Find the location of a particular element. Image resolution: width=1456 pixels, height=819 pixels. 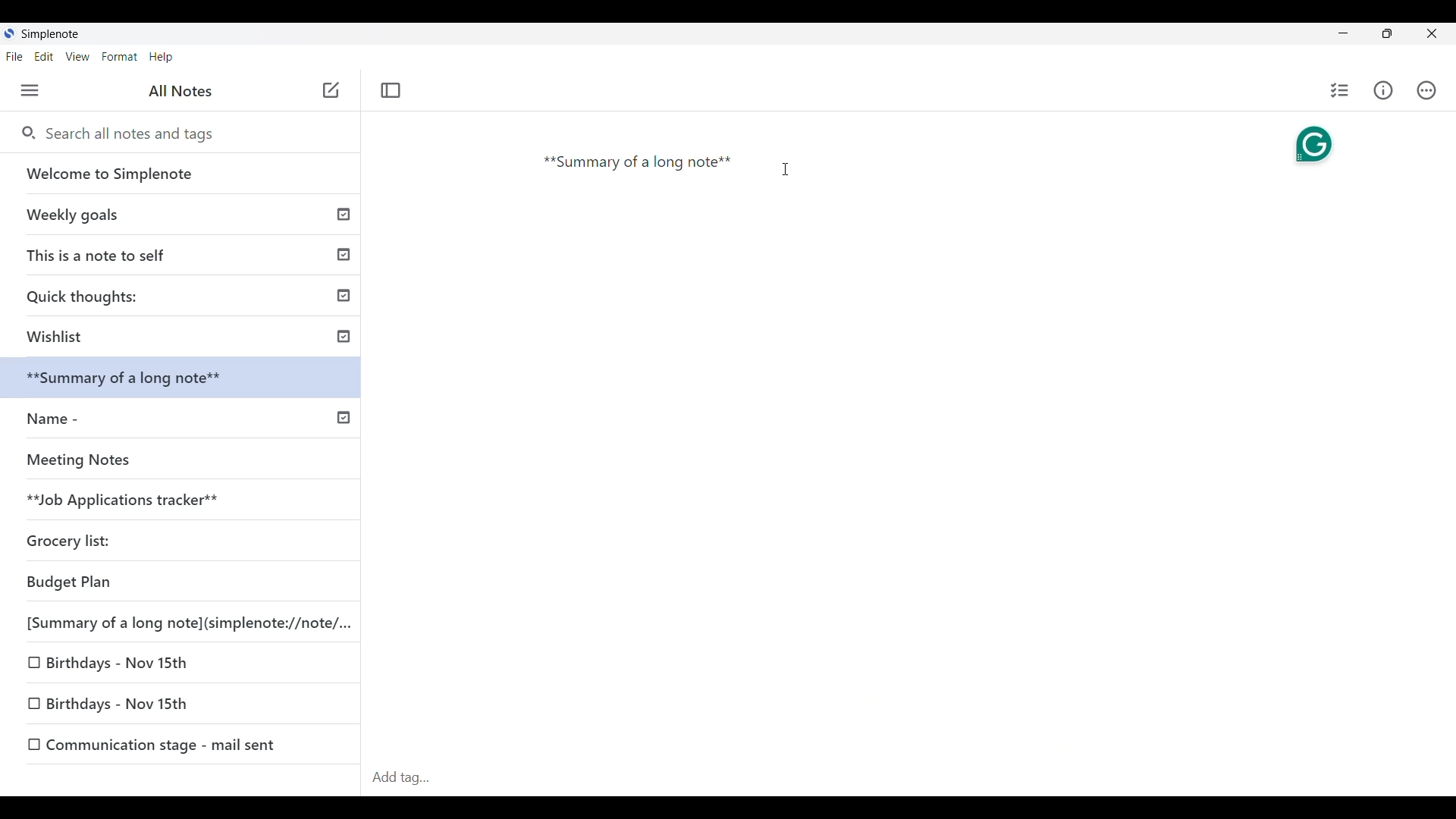

SimpleNote is located at coordinates (46, 33).